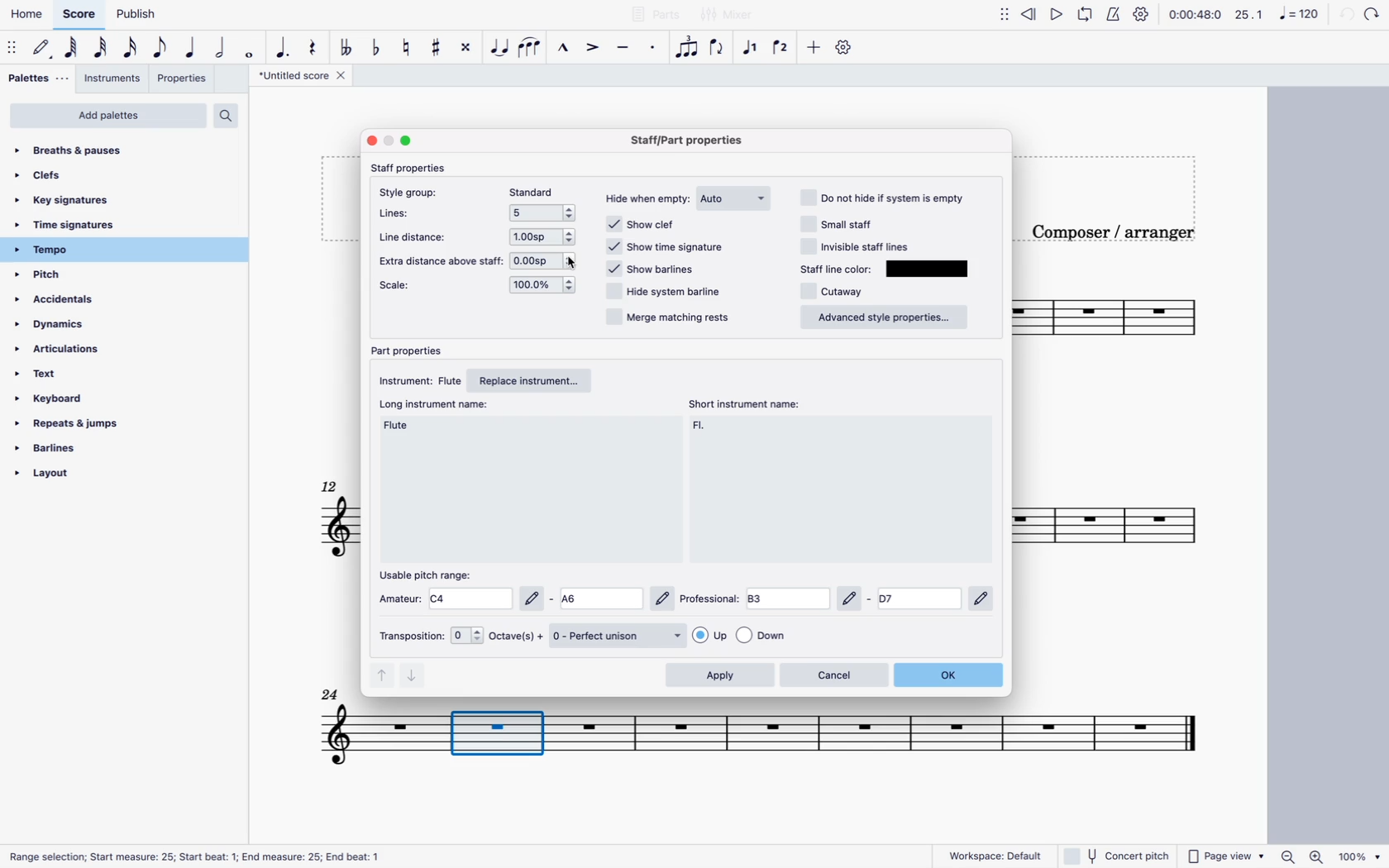  What do you see at coordinates (103, 49) in the screenshot?
I see `32nd note` at bounding box center [103, 49].